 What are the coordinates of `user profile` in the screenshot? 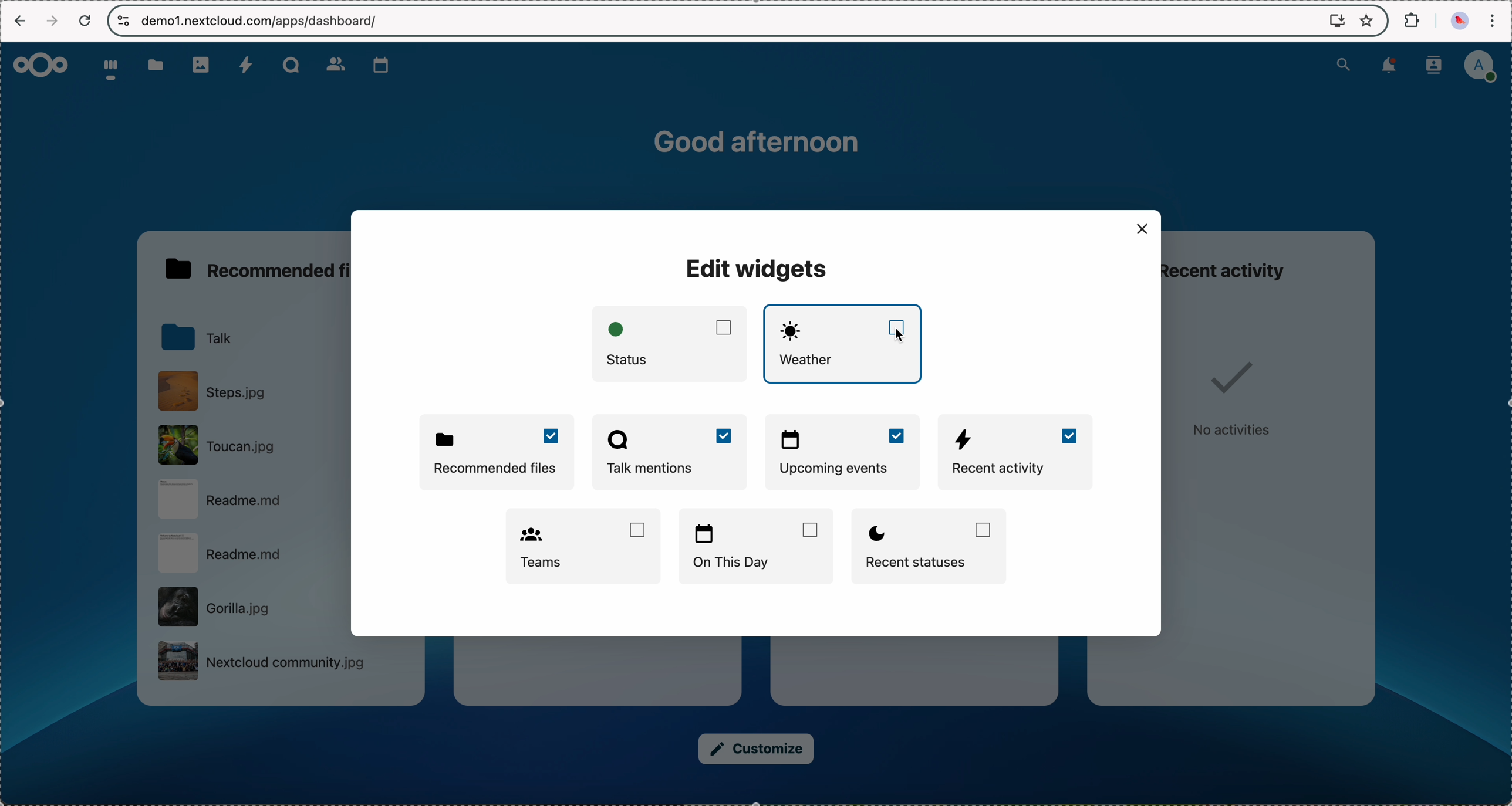 It's located at (1484, 66).